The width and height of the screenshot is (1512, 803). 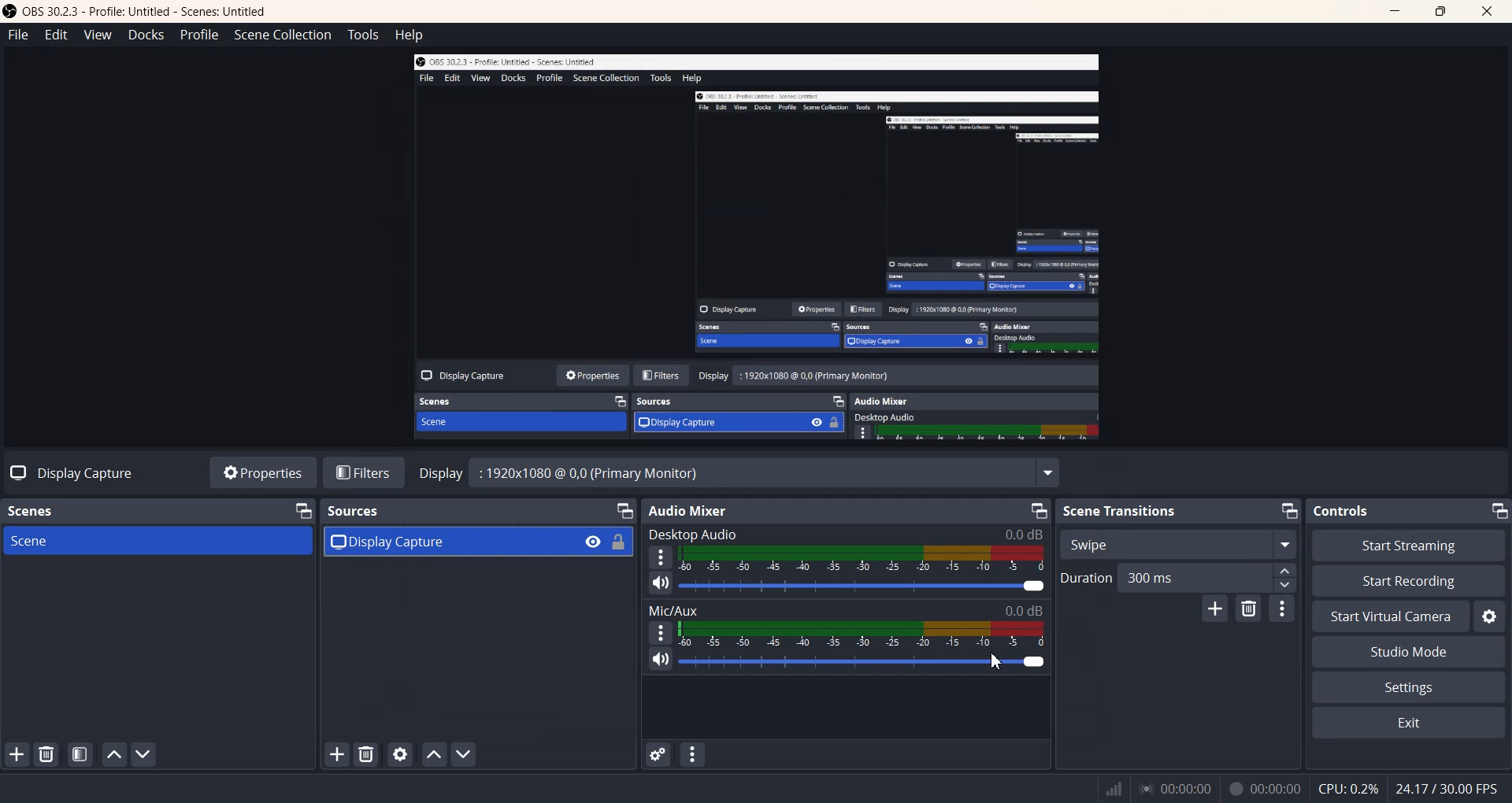 What do you see at coordinates (363, 472) in the screenshot?
I see `Filters` at bounding box center [363, 472].